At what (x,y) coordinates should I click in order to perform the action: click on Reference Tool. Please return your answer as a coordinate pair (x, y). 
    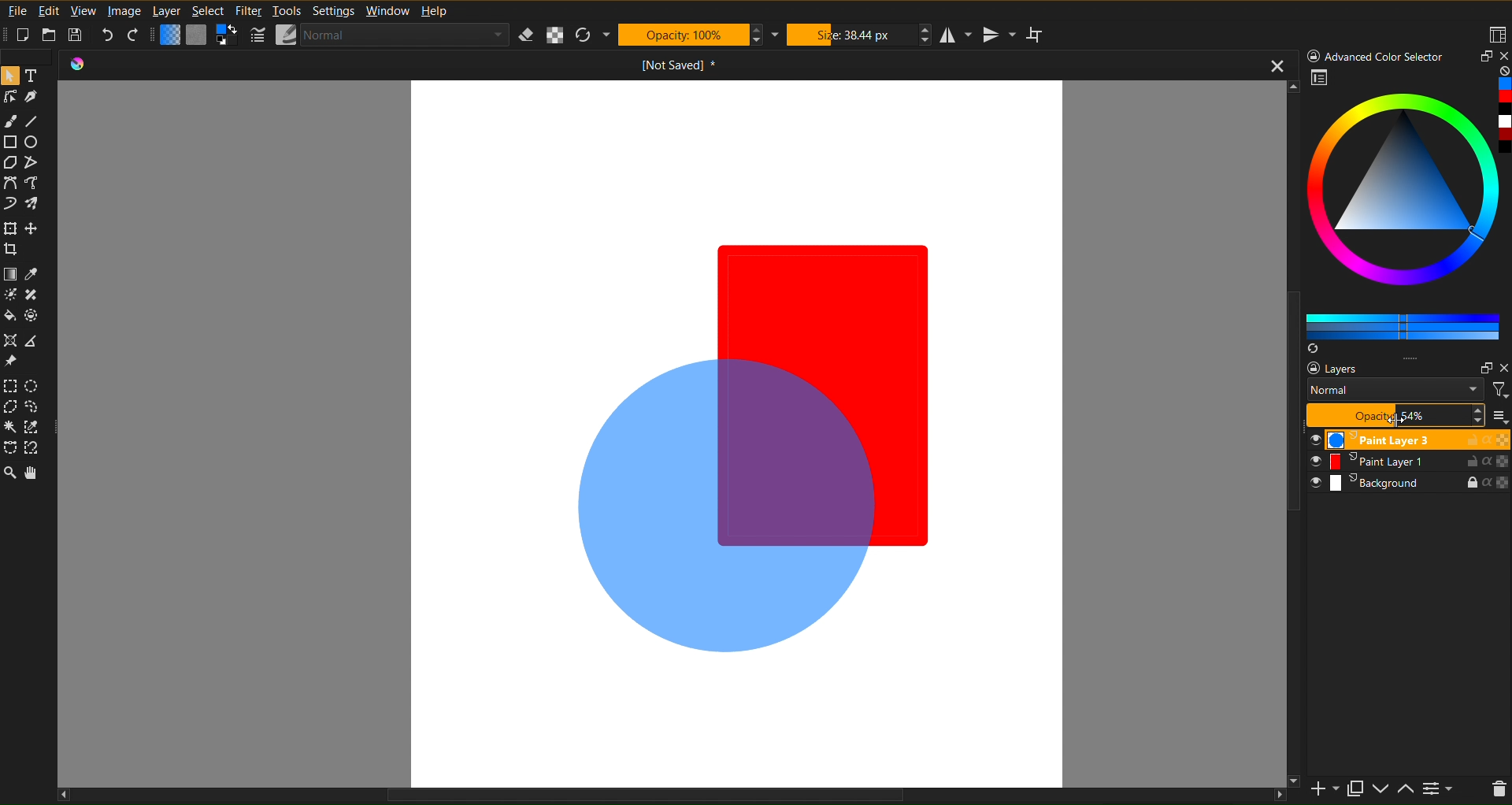
    Looking at the image, I should click on (13, 341).